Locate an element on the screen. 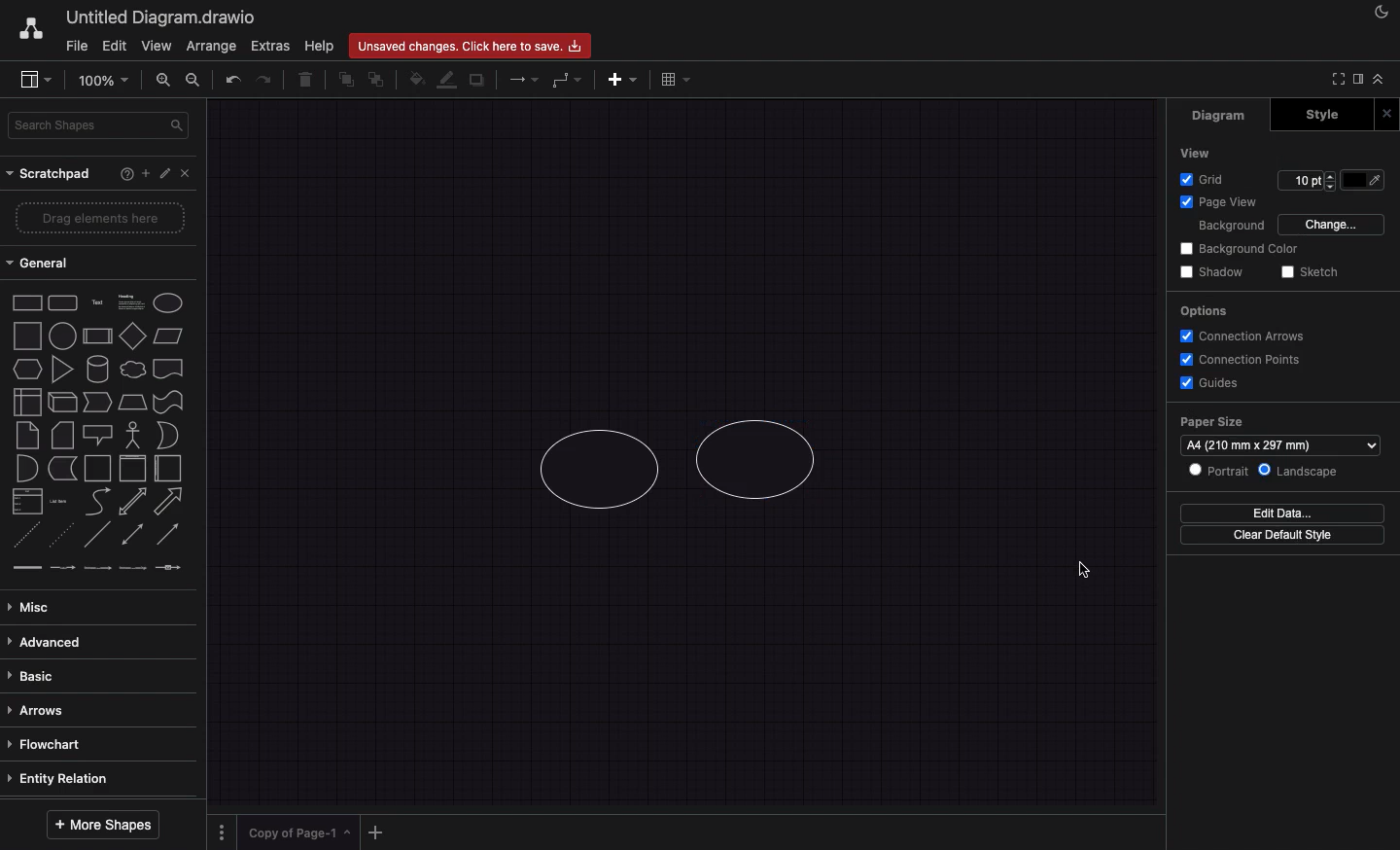 This screenshot has height=850, width=1400. change is located at coordinates (1332, 226).